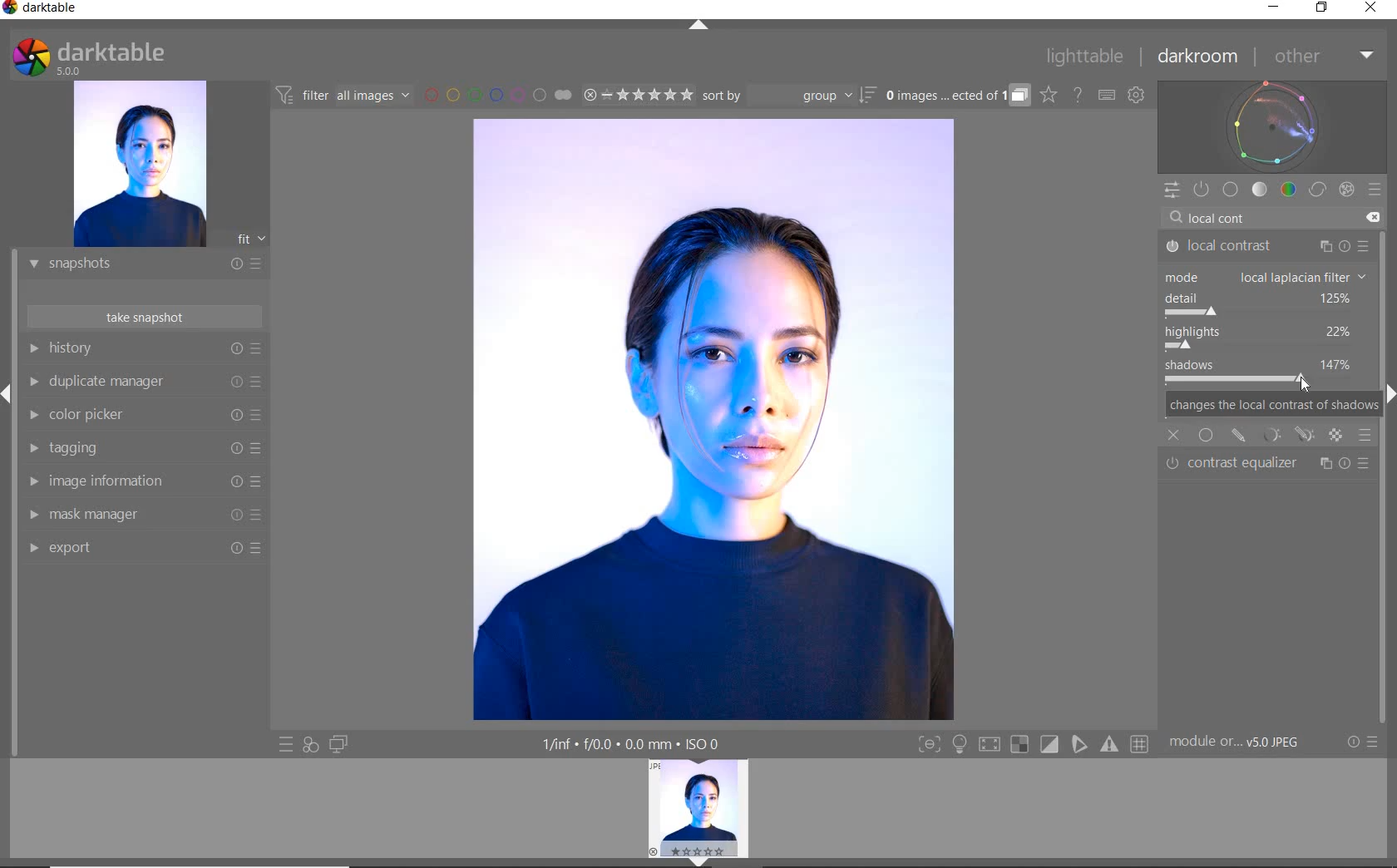 This screenshot has width=1397, height=868. I want to click on EXPAND/COLLAPSE, so click(704, 861).